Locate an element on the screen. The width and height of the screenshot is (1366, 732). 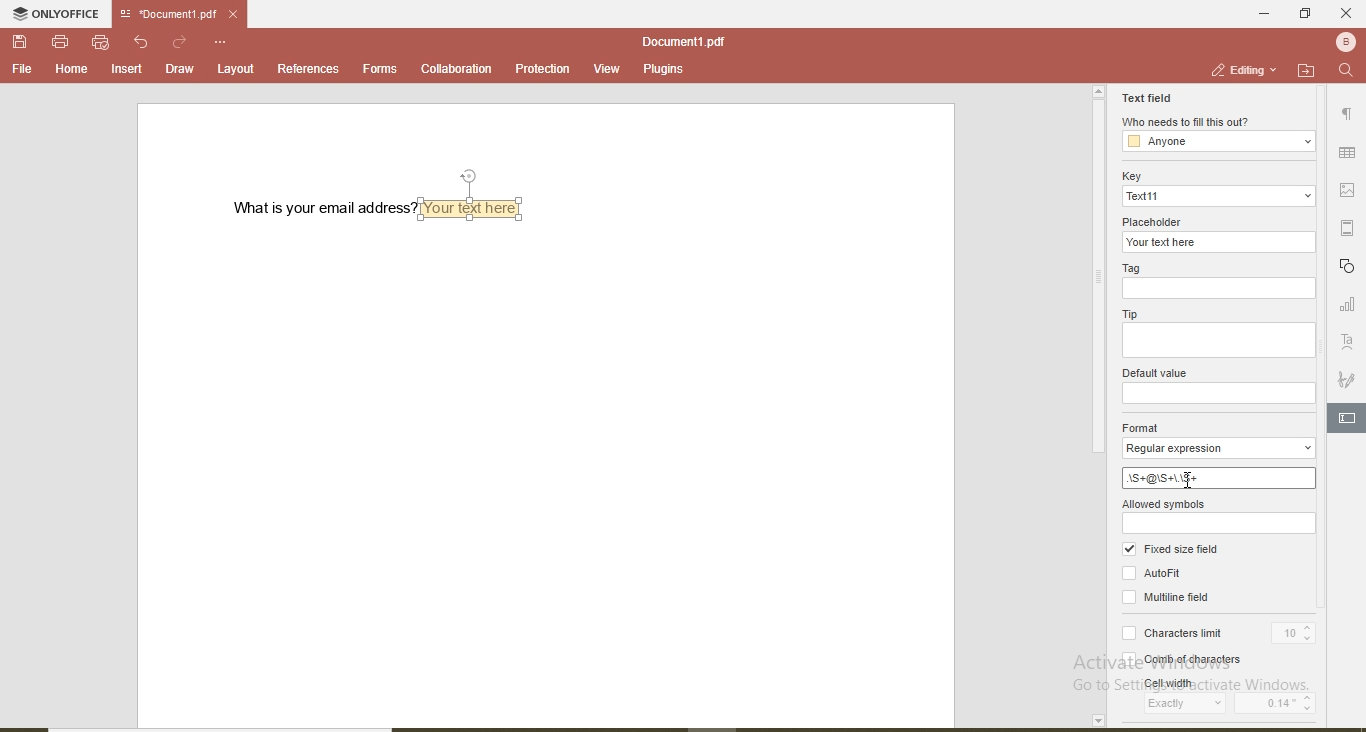
your text here is located at coordinates (1220, 242).